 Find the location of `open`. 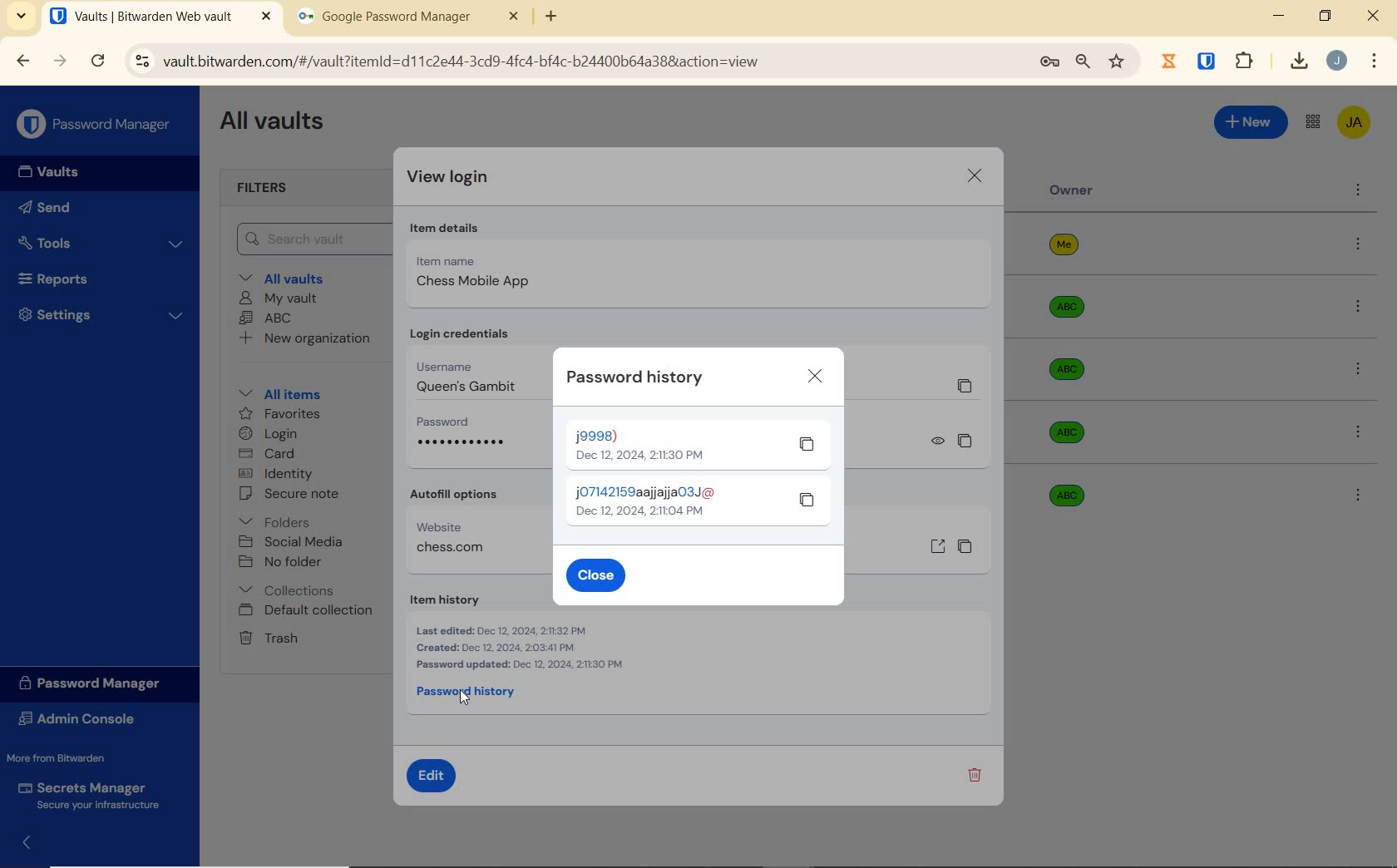

open is located at coordinates (936, 545).